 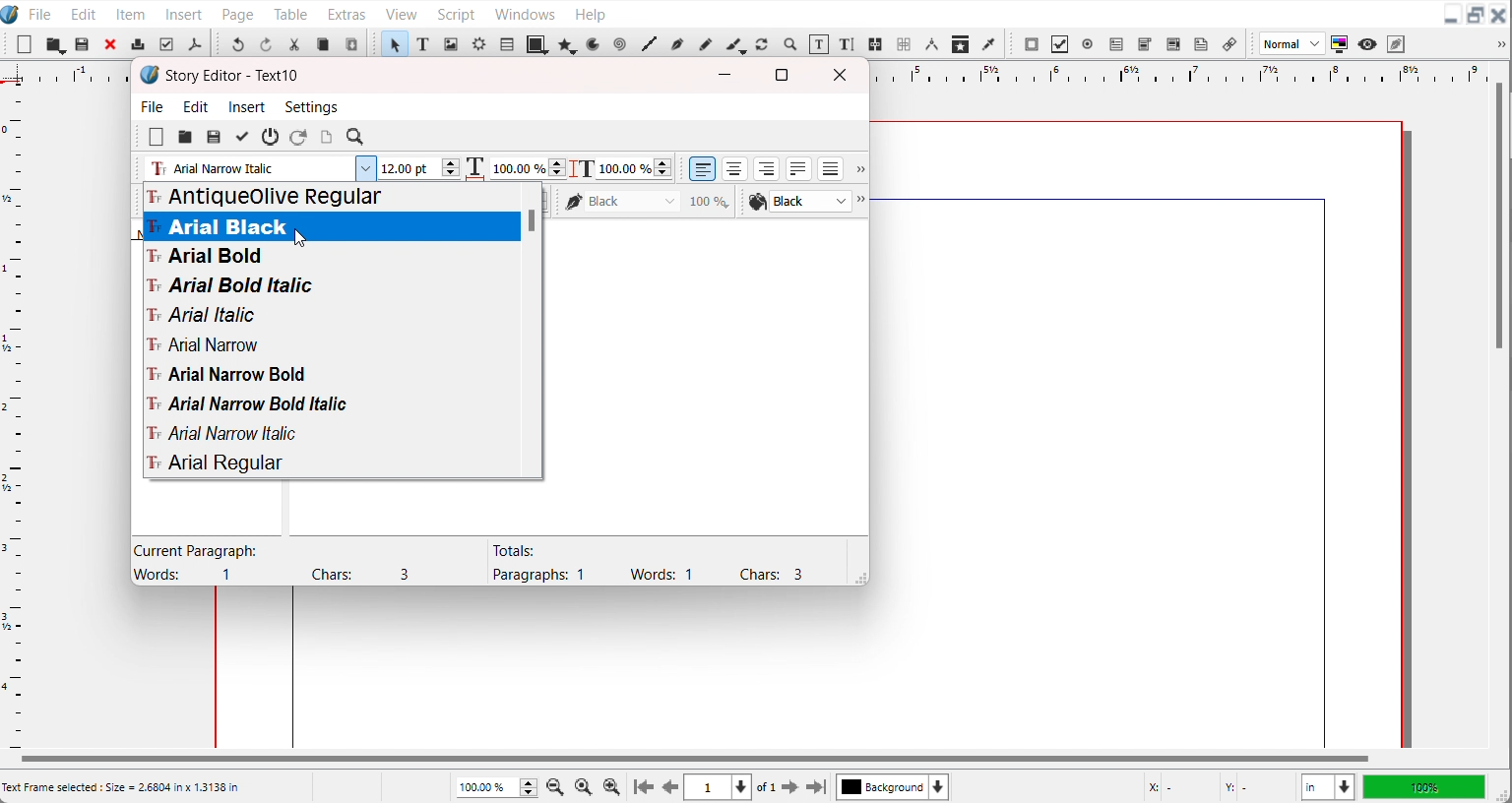 I want to click on Adjust Zoom, so click(x=498, y=787).